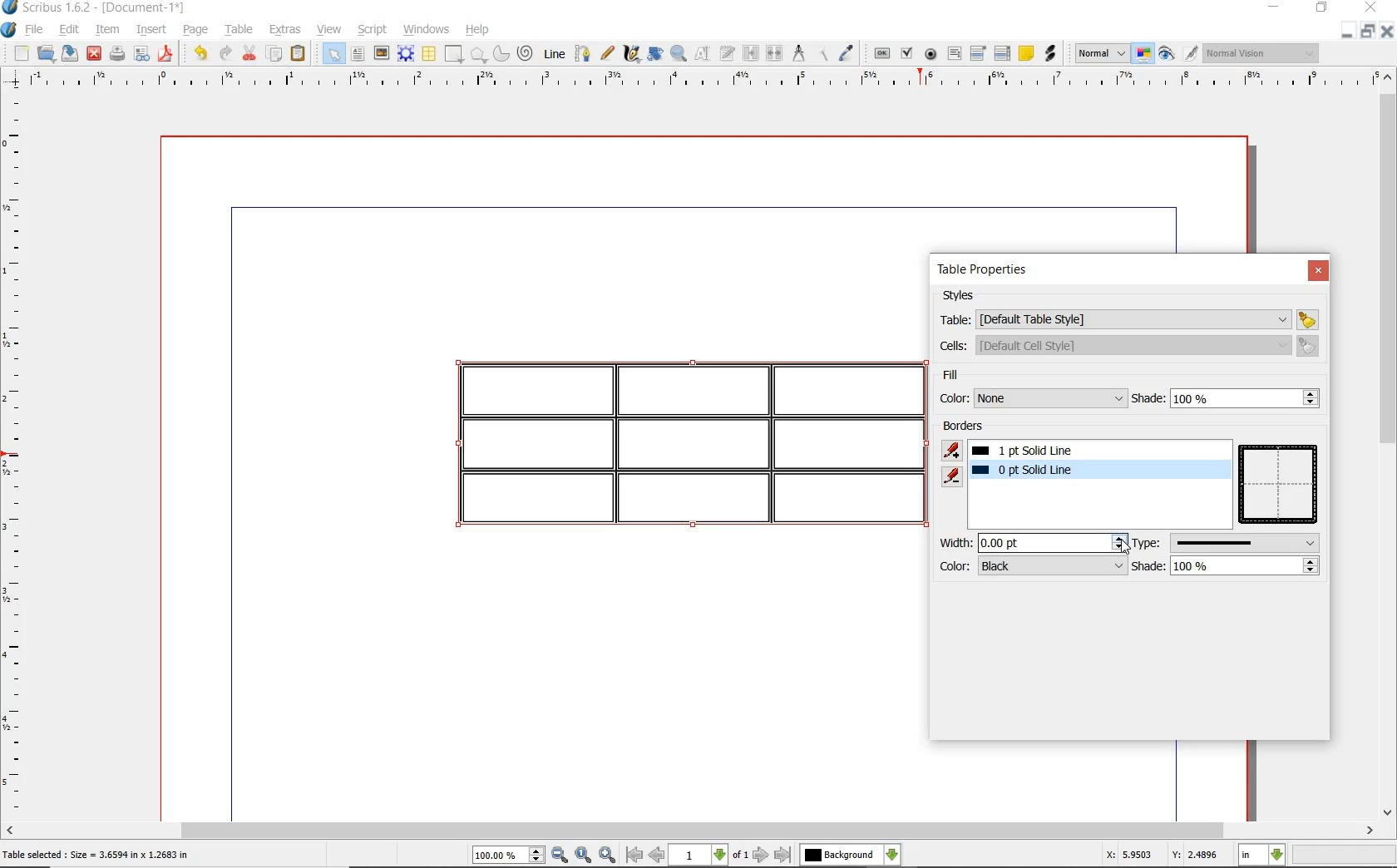 The image size is (1397, 868). What do you see at coordinates (1160, 856) in the screenshot?
I see `X: 5.9503 Y: 2.4896` at bounding box center [1160, 856].